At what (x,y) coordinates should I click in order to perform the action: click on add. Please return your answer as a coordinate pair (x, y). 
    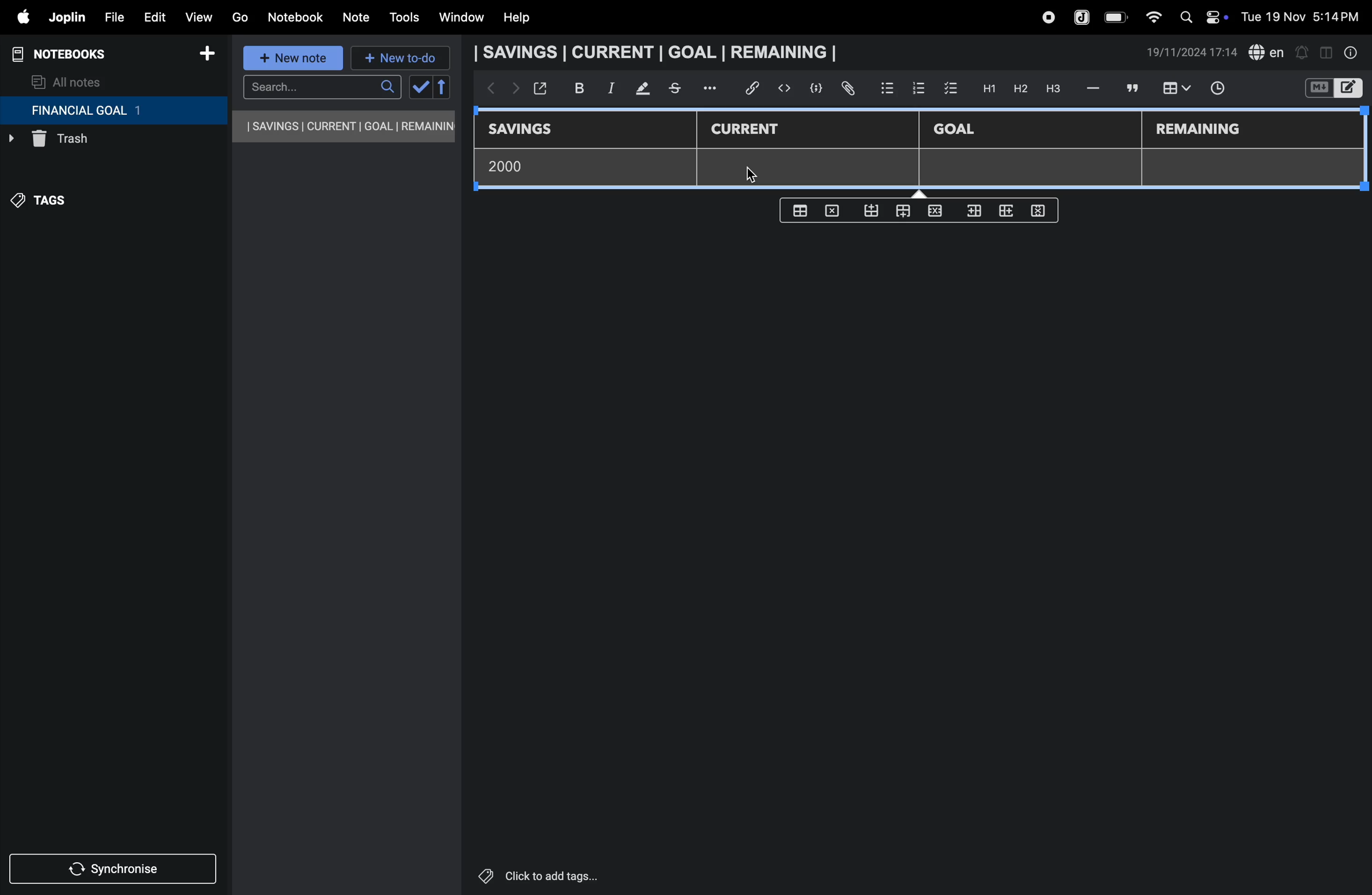
    Looking at the image, I should click on (207, 55).